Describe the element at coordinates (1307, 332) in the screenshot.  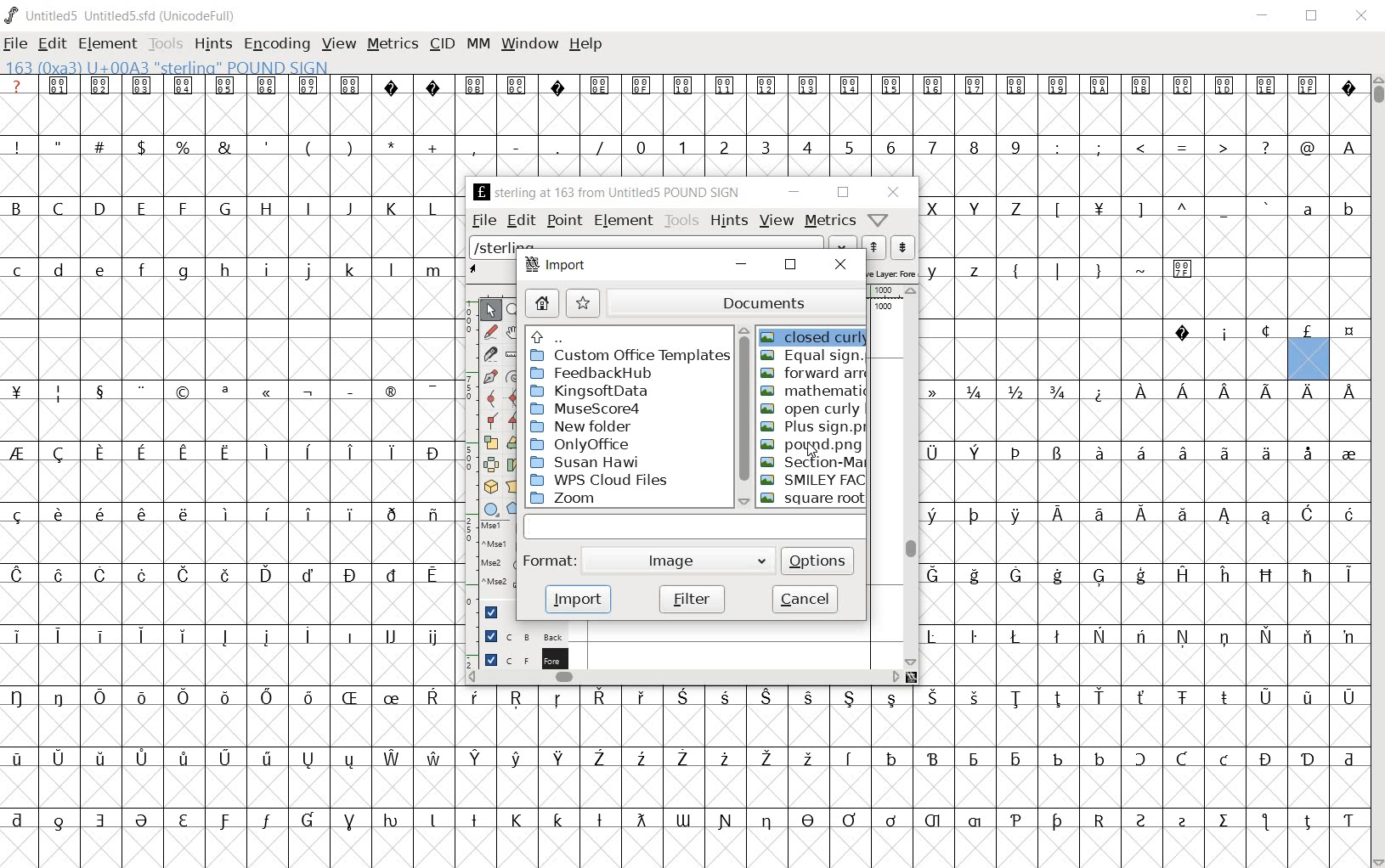
I see `Symbol` at that location.